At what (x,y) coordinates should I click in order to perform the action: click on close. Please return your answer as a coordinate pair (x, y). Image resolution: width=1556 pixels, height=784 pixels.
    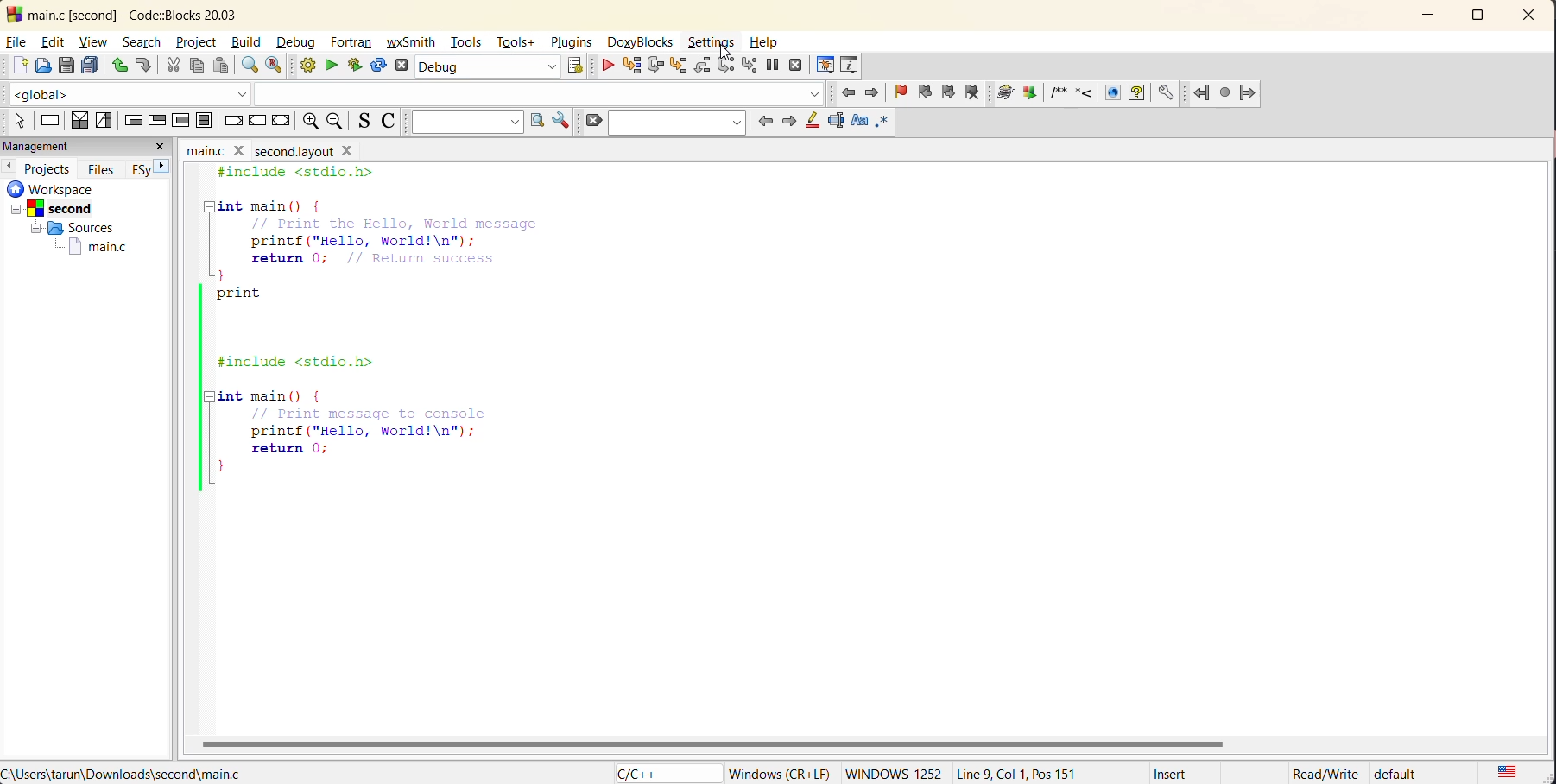
    Looking at the image, I should click on (349, 151).